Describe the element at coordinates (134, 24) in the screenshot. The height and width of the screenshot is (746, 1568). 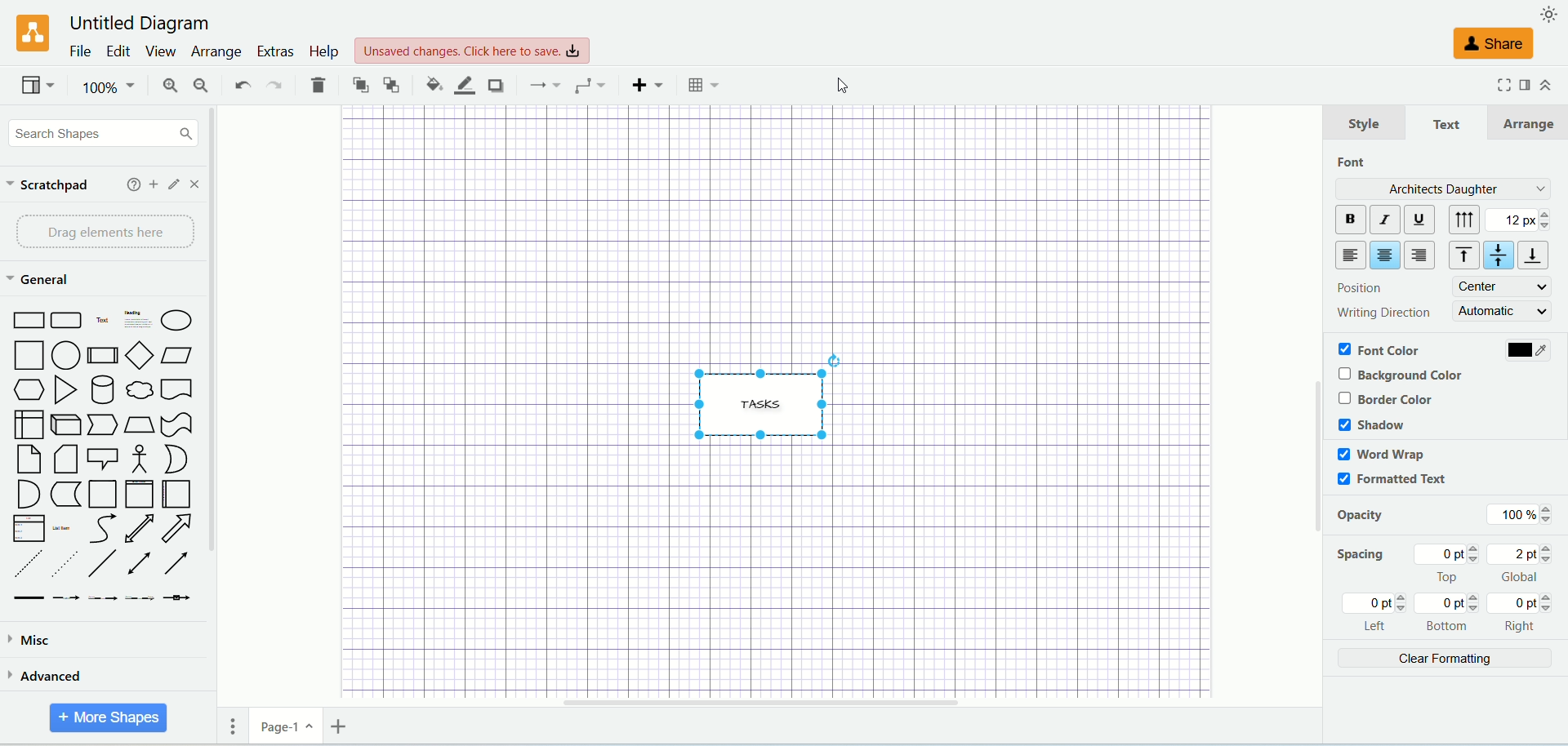
I see `Untitled Diagram` at that location.